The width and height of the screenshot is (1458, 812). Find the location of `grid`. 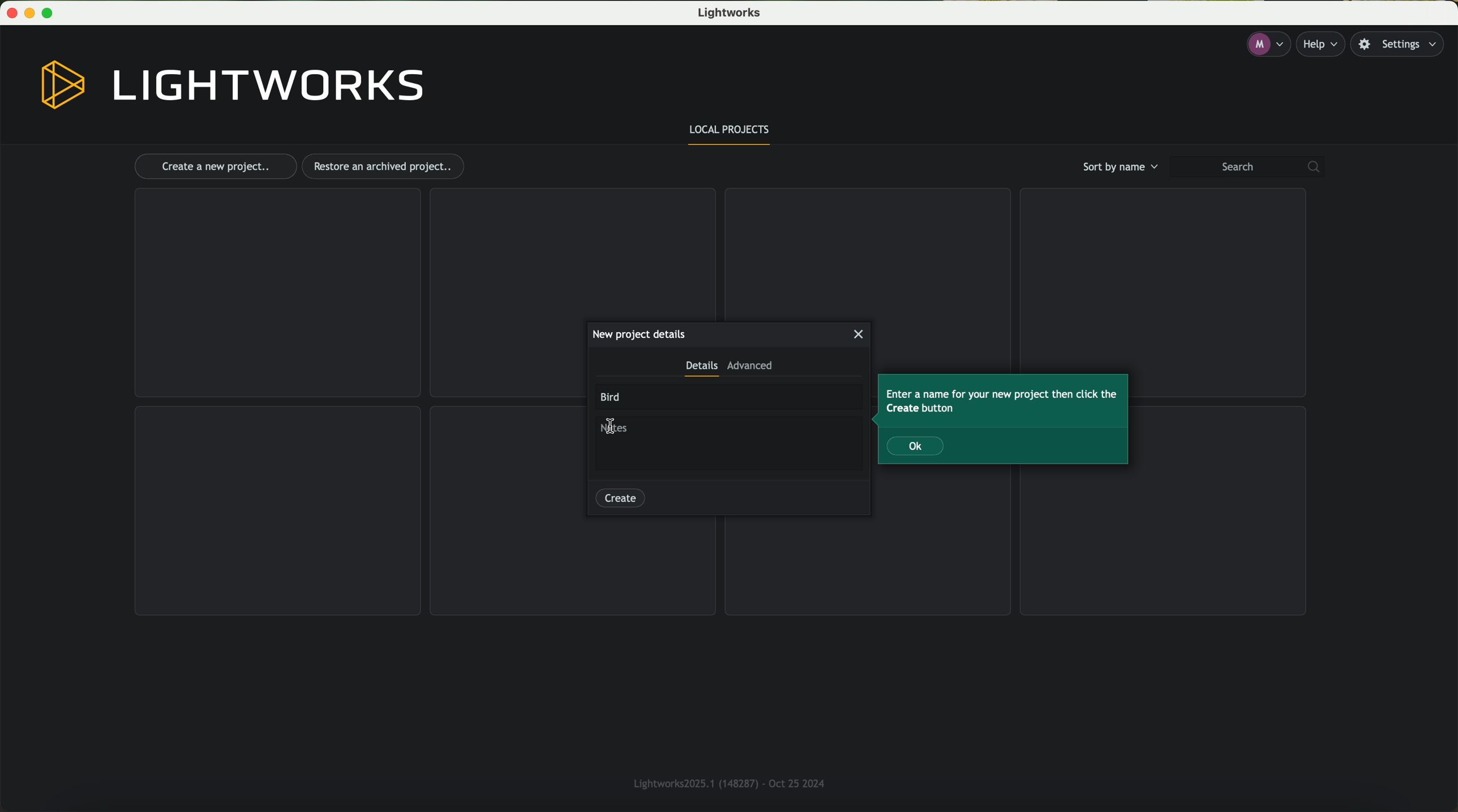

grid is located at coordinates (870, 564).